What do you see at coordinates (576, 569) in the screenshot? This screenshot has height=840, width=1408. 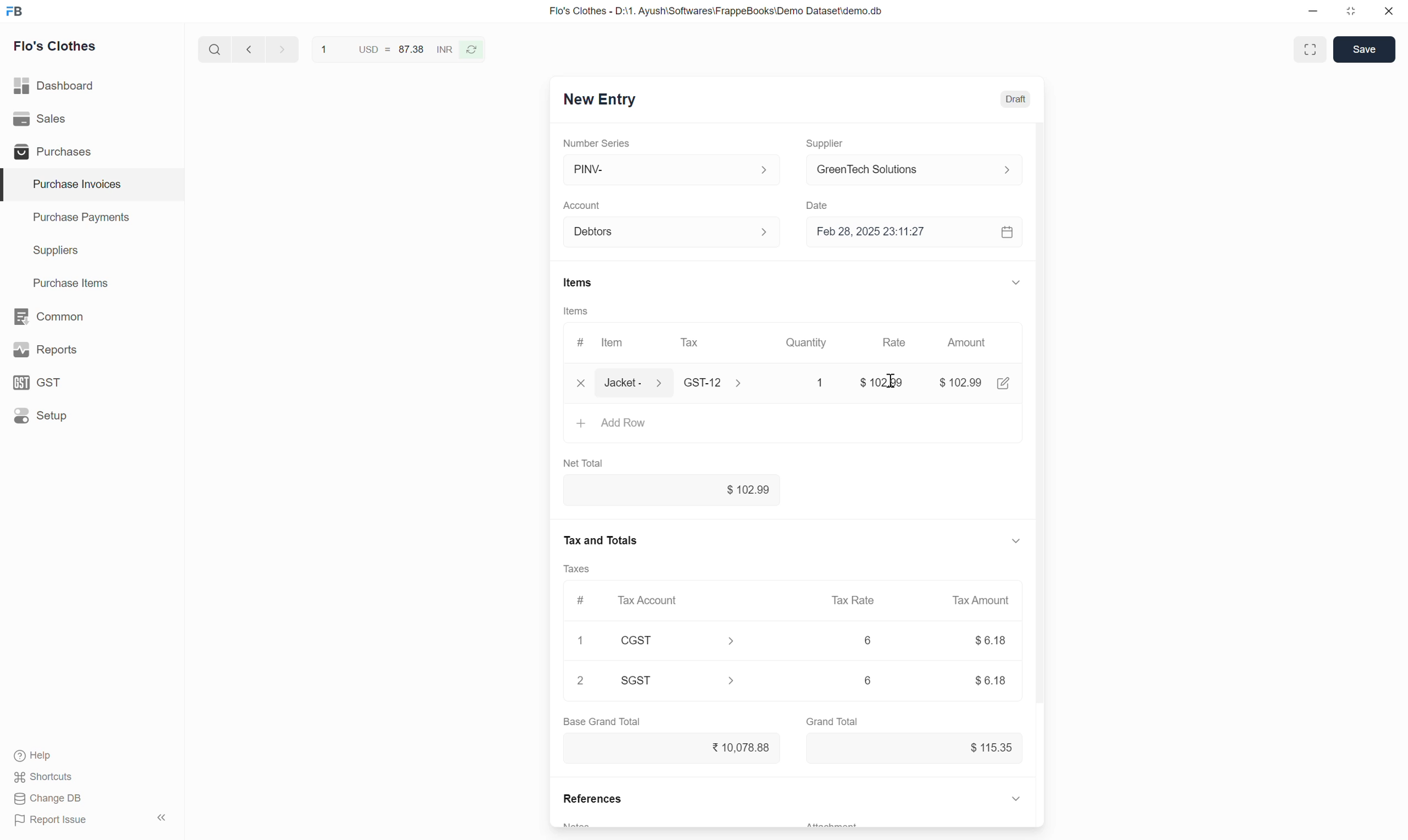 I see `Taxes` at bounding box center [576, 569].